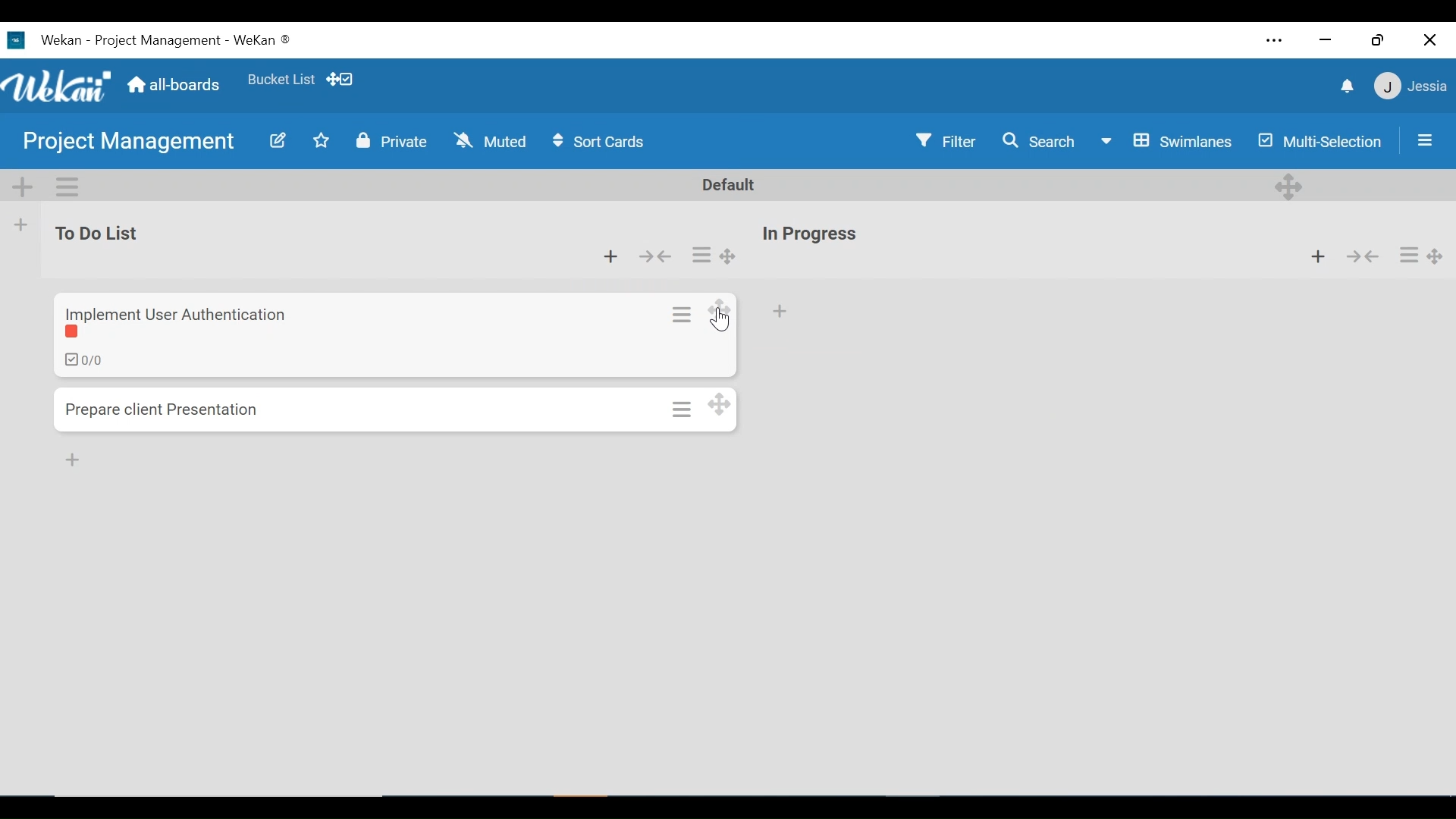 The width and height of the screenshot is (1456, 819). What do you see at coordinates (1038, 141) in the screenshot?
I see `Search` at bounding box center [1038, 141].